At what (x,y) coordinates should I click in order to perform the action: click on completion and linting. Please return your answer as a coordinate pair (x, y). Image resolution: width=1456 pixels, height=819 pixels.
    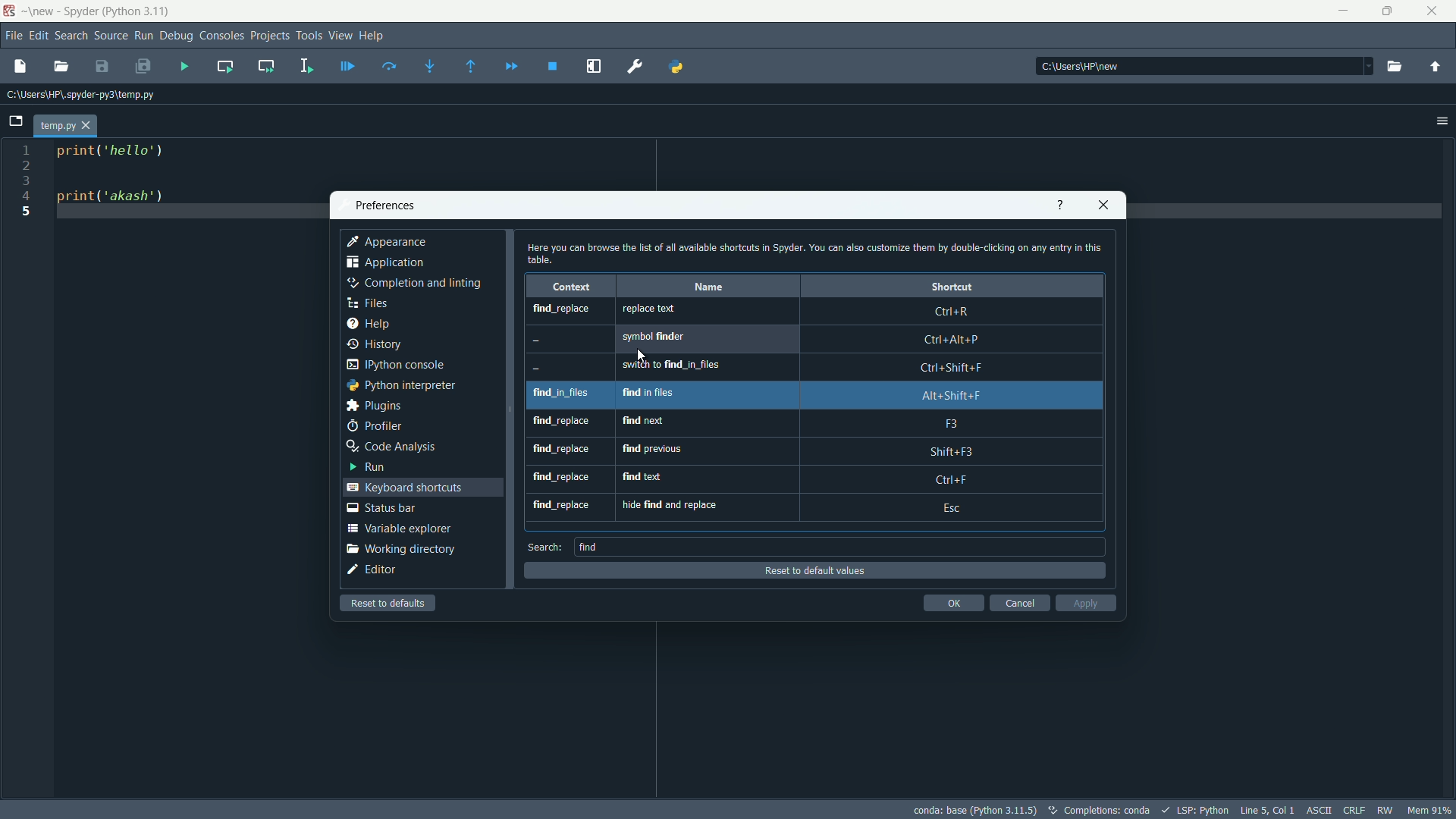
    Looking at the image, I should click on (413, 283).